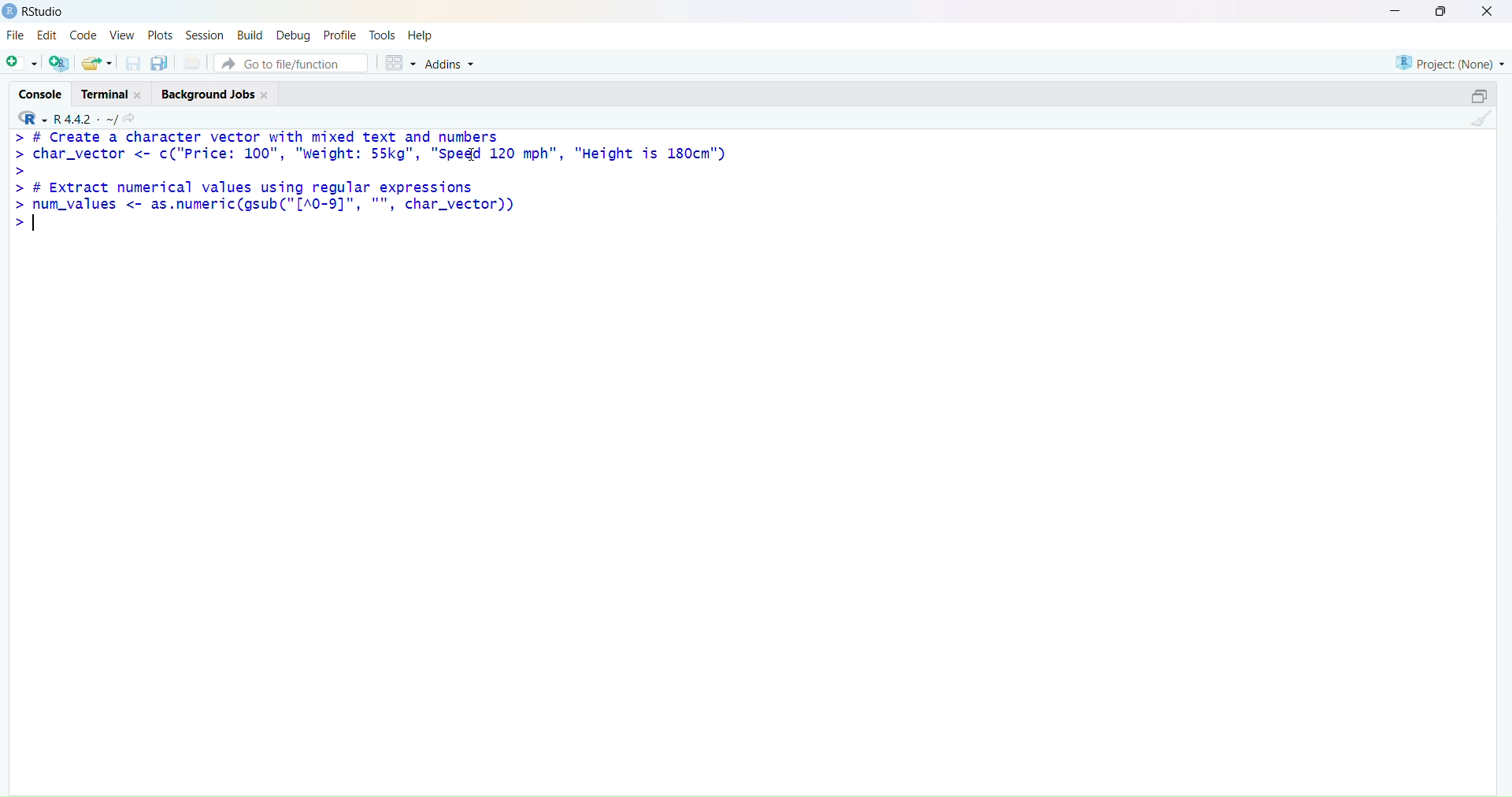  What do you see at coordinates (45, 11) in the screenshot?
I see `RStudio` at bounding box center [45, 11].